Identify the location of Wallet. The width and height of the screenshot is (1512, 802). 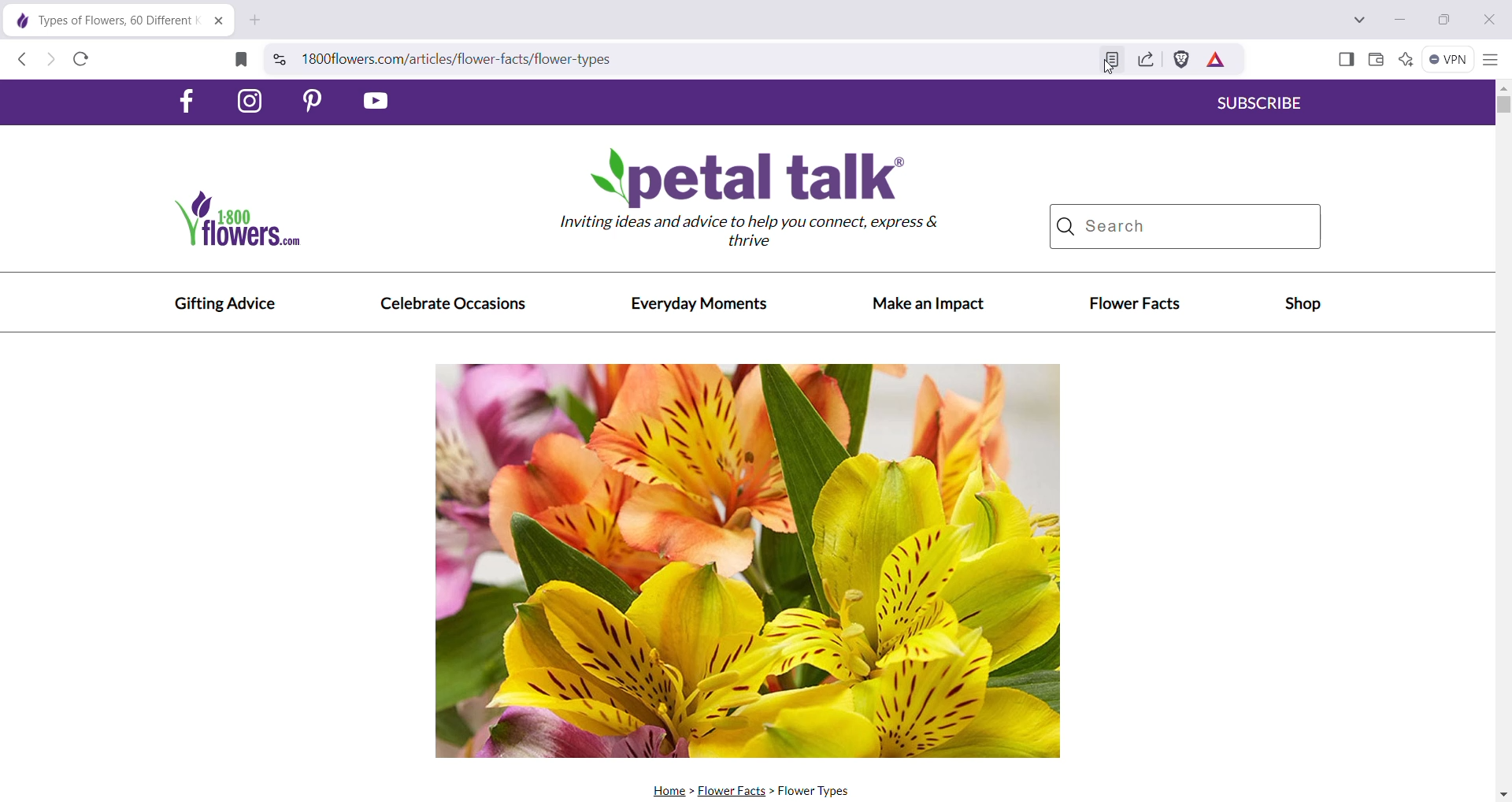
(1375, 60).